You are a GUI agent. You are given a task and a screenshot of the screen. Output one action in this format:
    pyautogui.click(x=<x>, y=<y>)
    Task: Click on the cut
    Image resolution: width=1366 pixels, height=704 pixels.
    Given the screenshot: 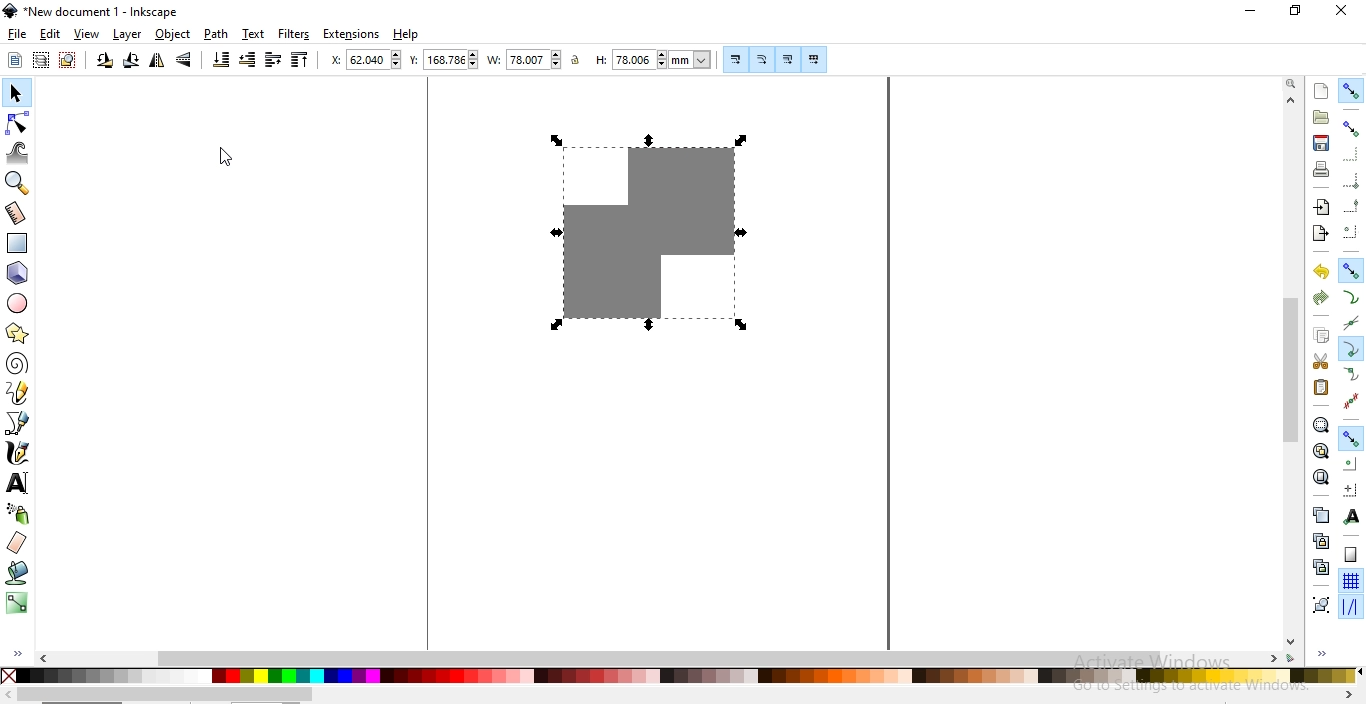 What is the action you would take?
    pyautogui.click(x=1320, y=362)
    